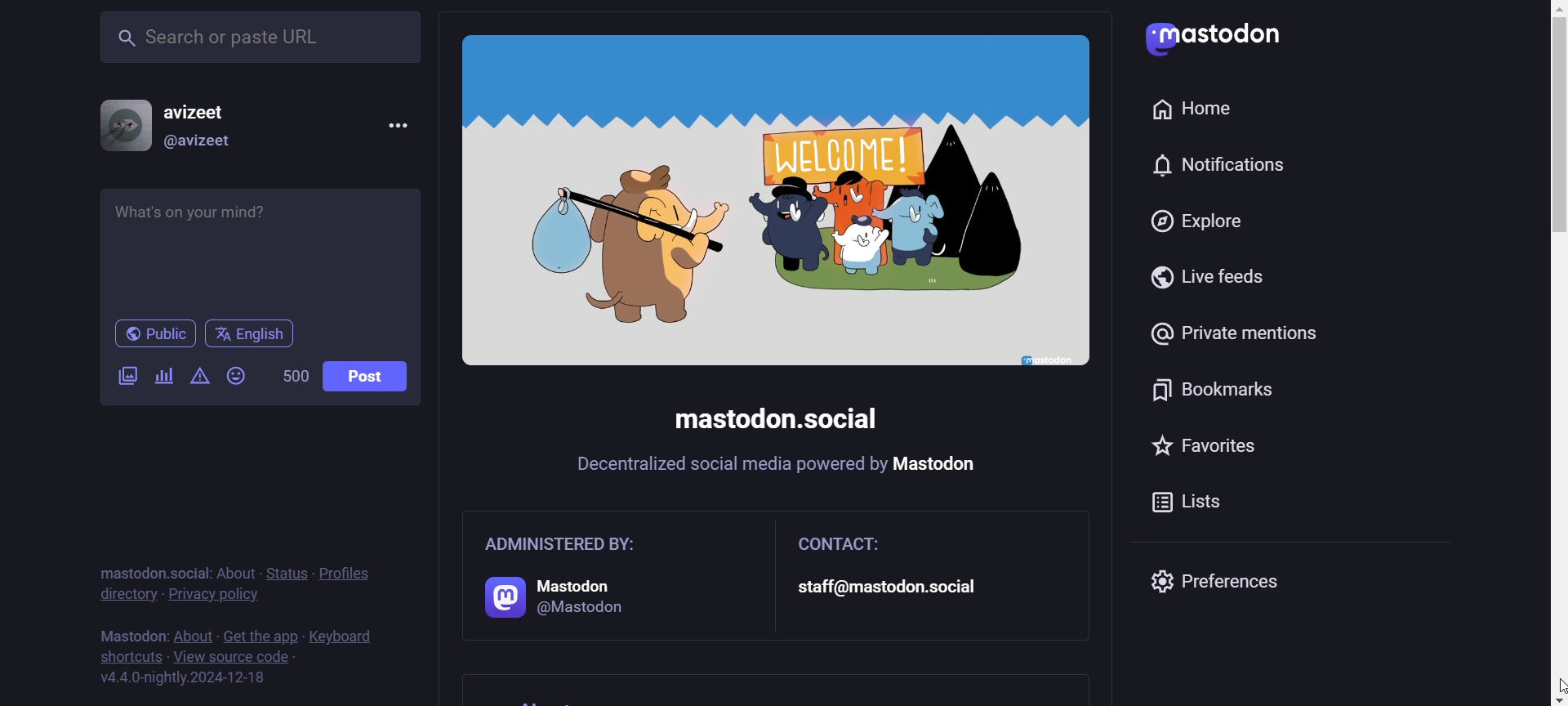 The image size is (1568, 706). Describe the element at coordinates (571, 583) in the screenshot. I see `Mastodon` at that location.